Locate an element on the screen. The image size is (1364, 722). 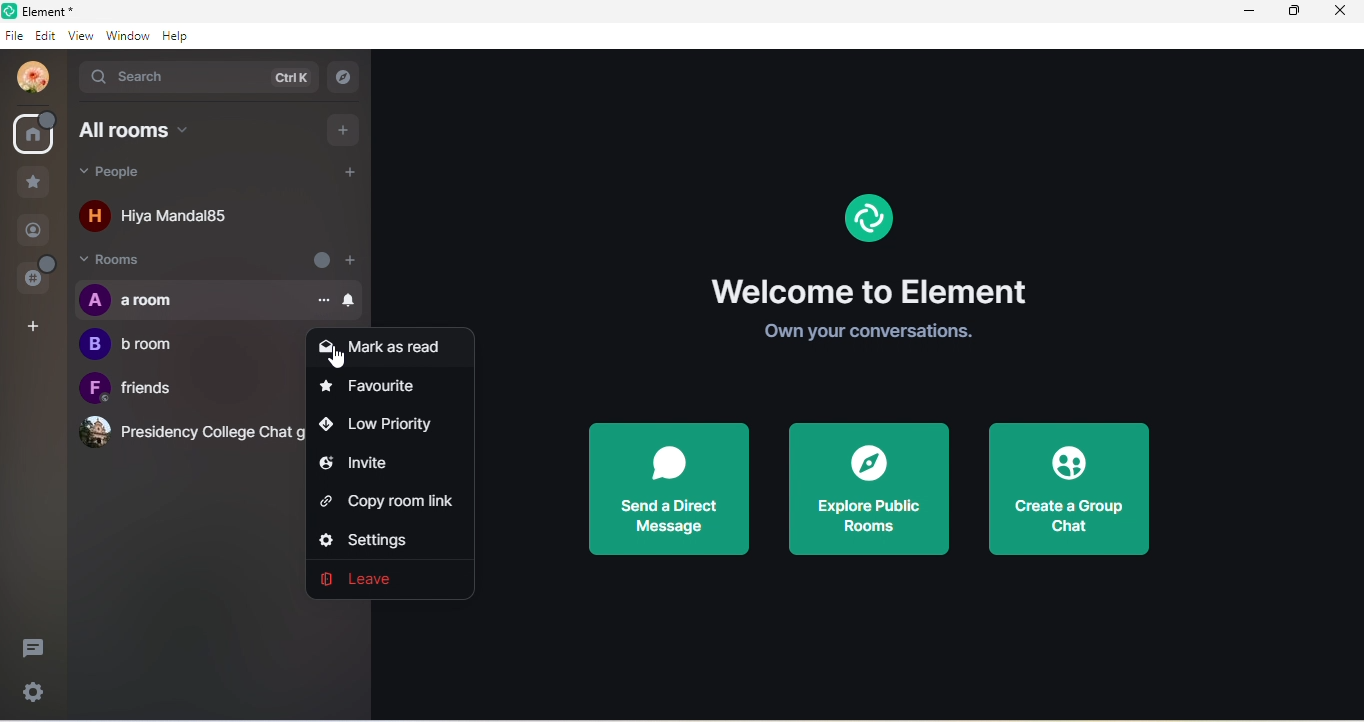
invite is located at coordinates (357, 464).